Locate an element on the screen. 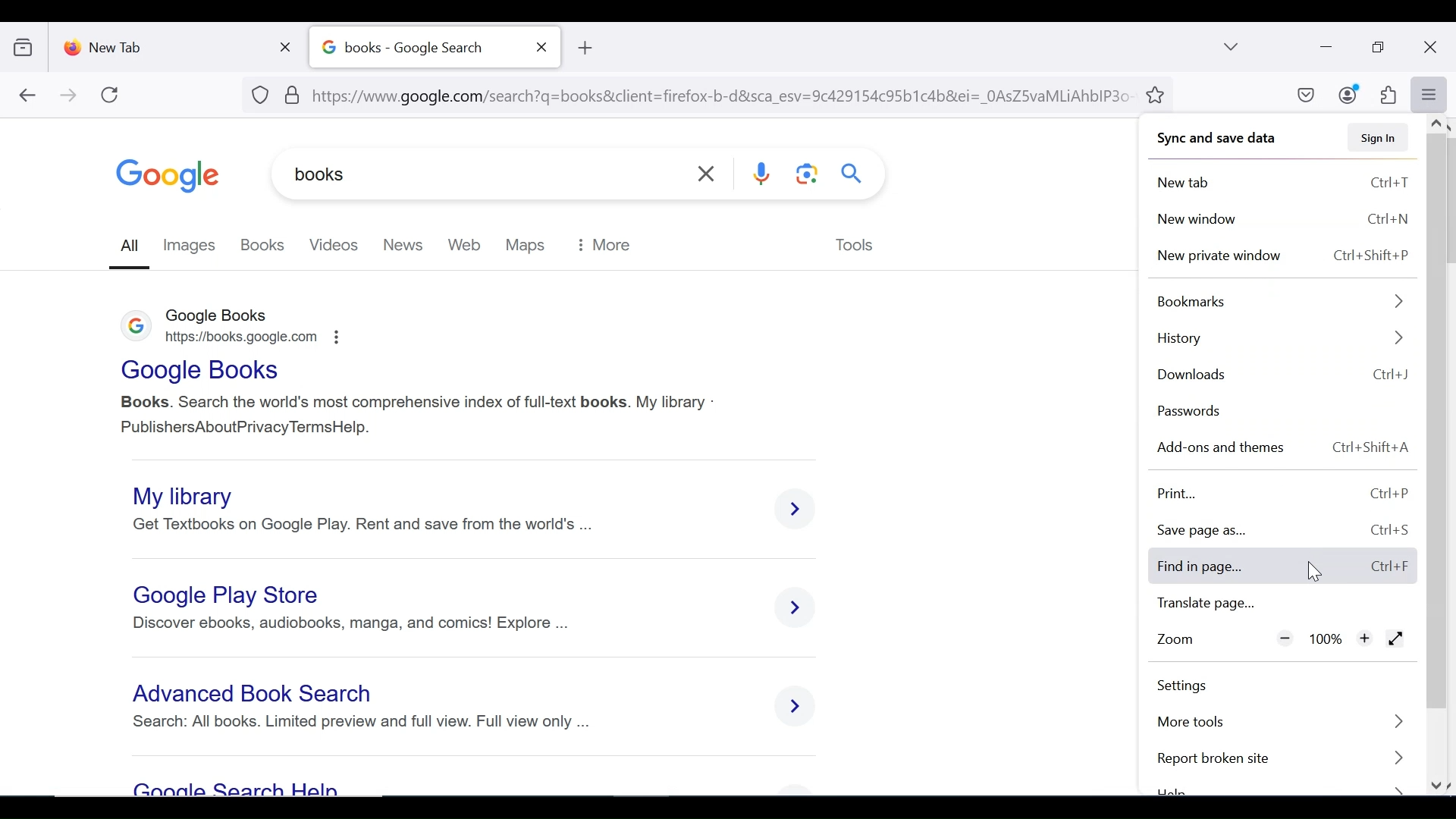 The image size is (1456, 819). close tab is located at coordinates (289, 44).